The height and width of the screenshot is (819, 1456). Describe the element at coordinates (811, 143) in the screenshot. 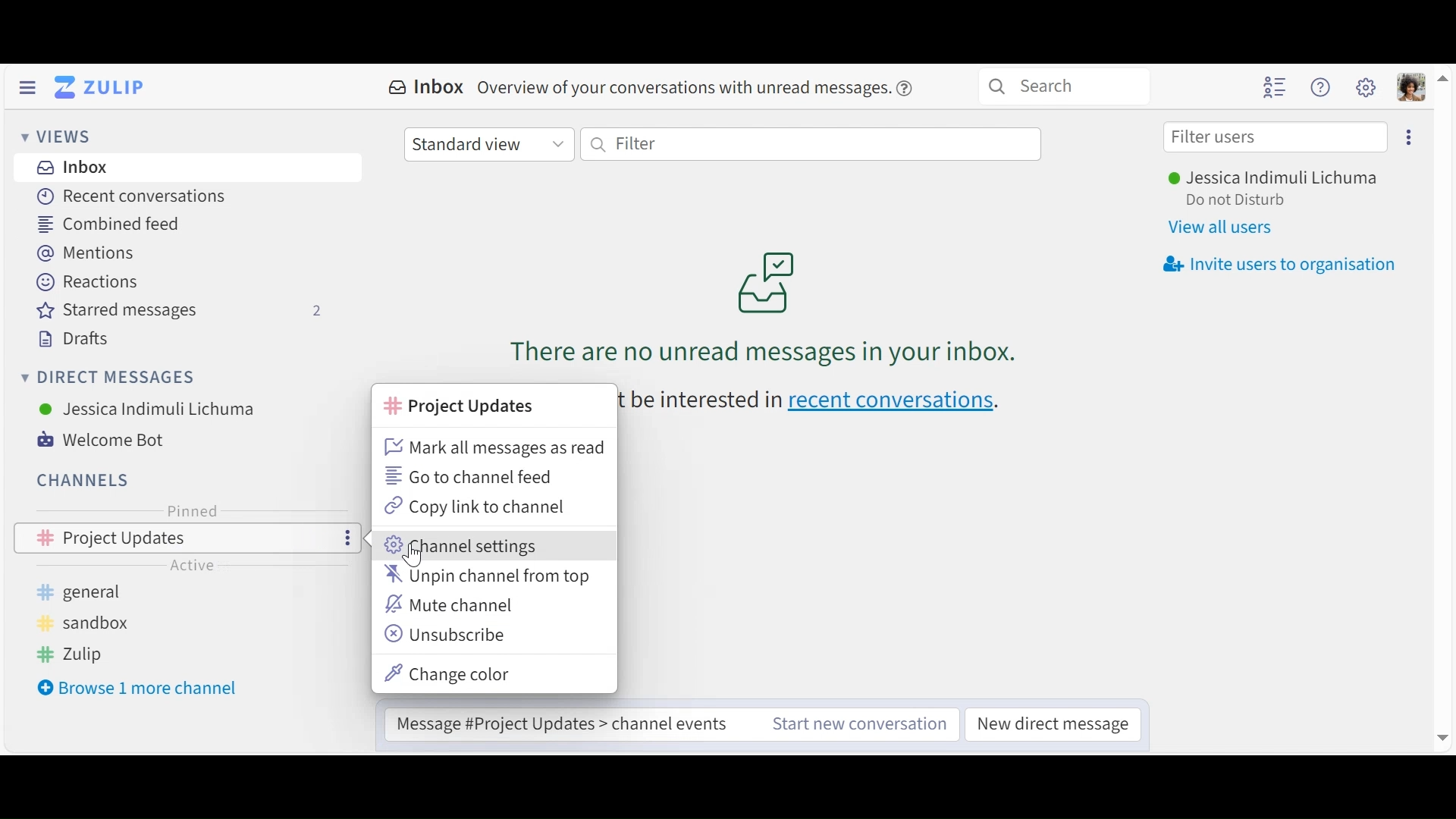

I see `Filter` at that location.